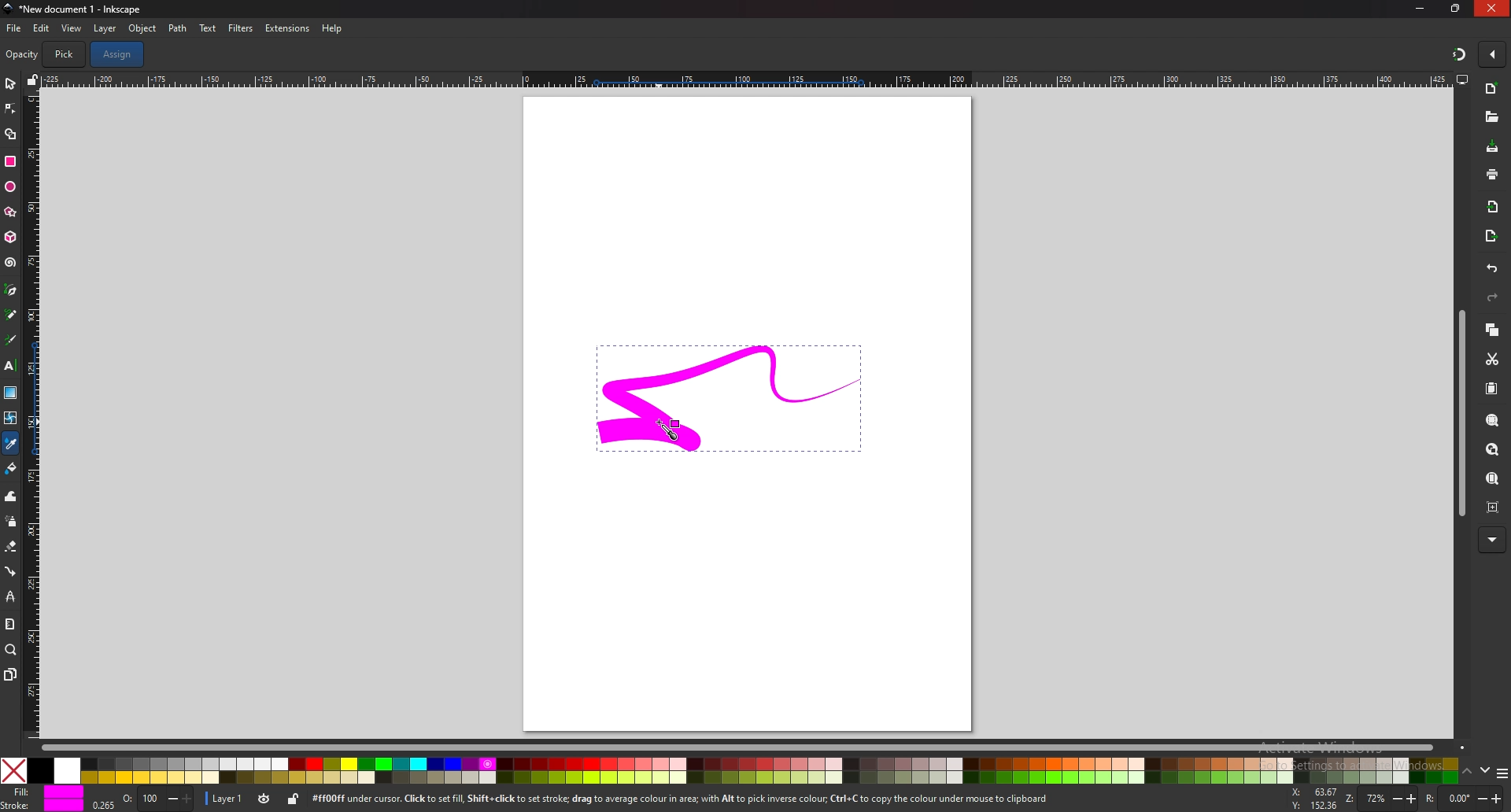 The width and height of the screenshot is (1511, 812). I want to click on undo, so click(1492, 269).